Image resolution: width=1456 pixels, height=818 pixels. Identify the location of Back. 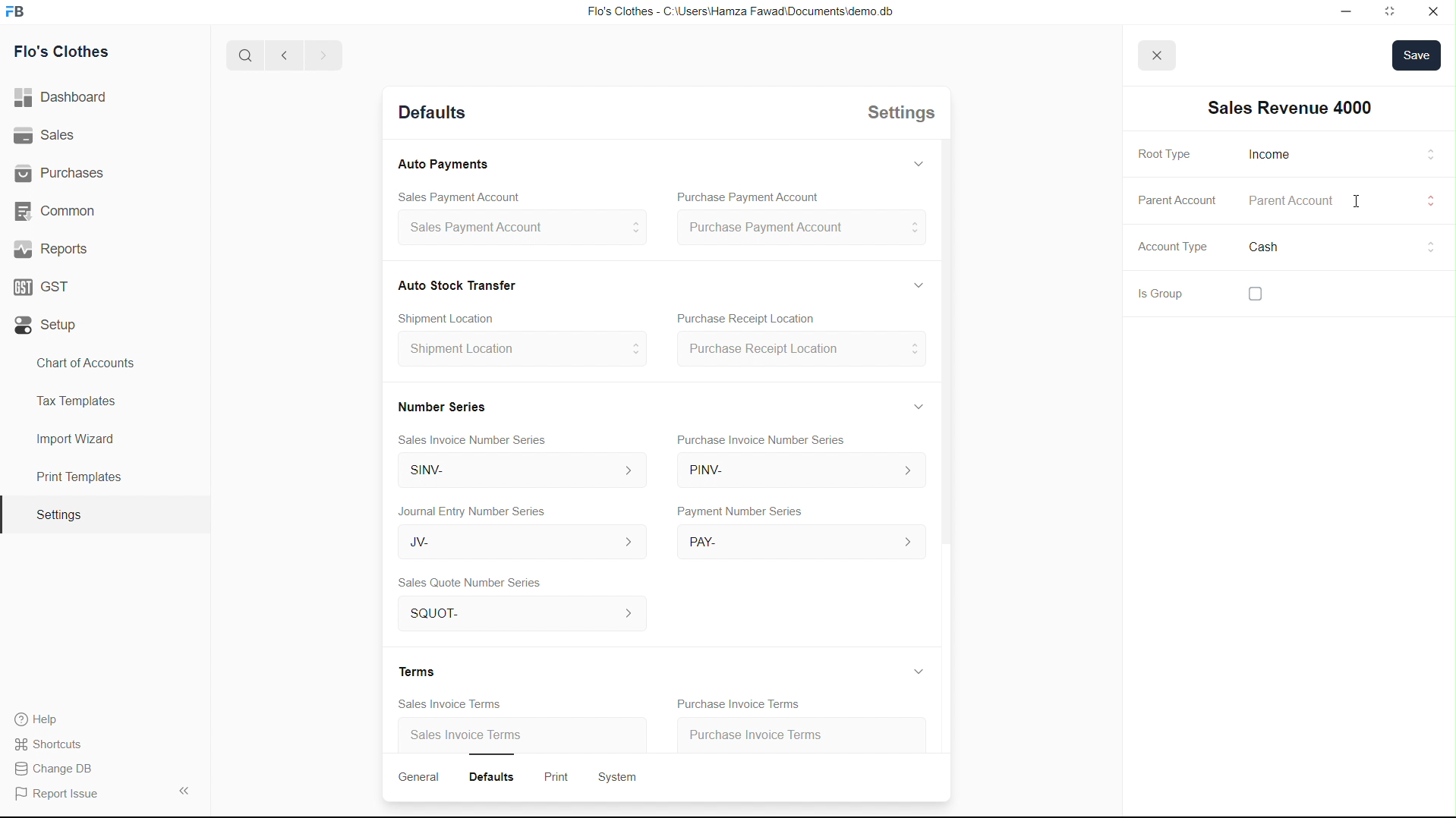
(279, 56).